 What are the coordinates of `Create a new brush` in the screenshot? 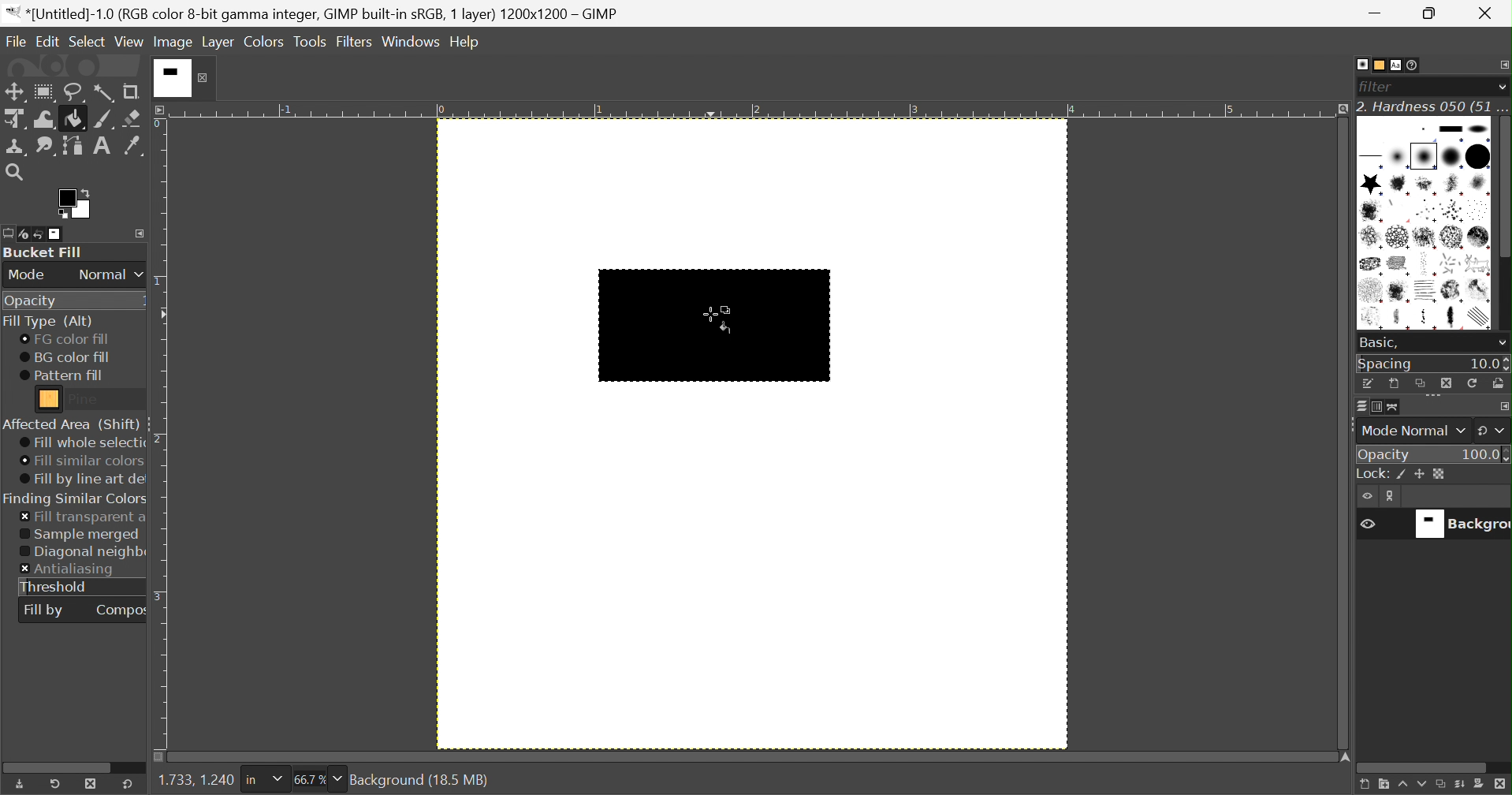 It's located at (1394, 384).